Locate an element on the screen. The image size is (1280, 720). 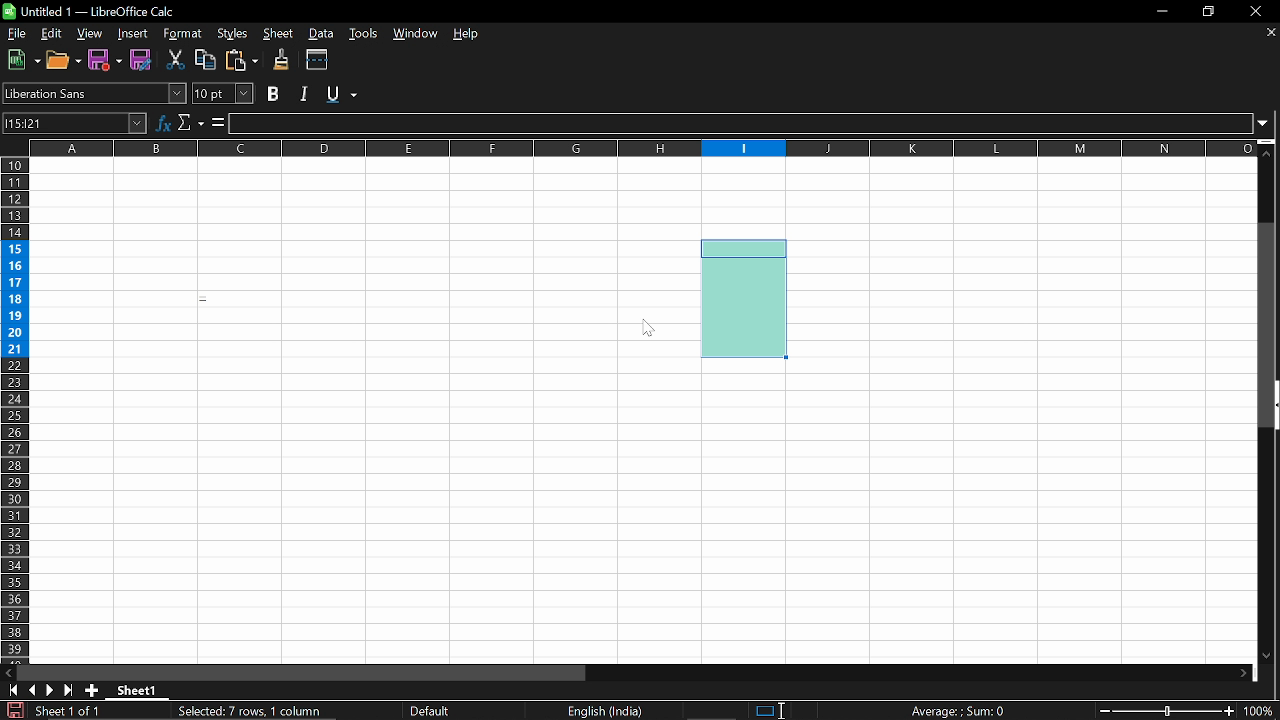
Vertical scrollbar is located at coordinates (1269, 327).